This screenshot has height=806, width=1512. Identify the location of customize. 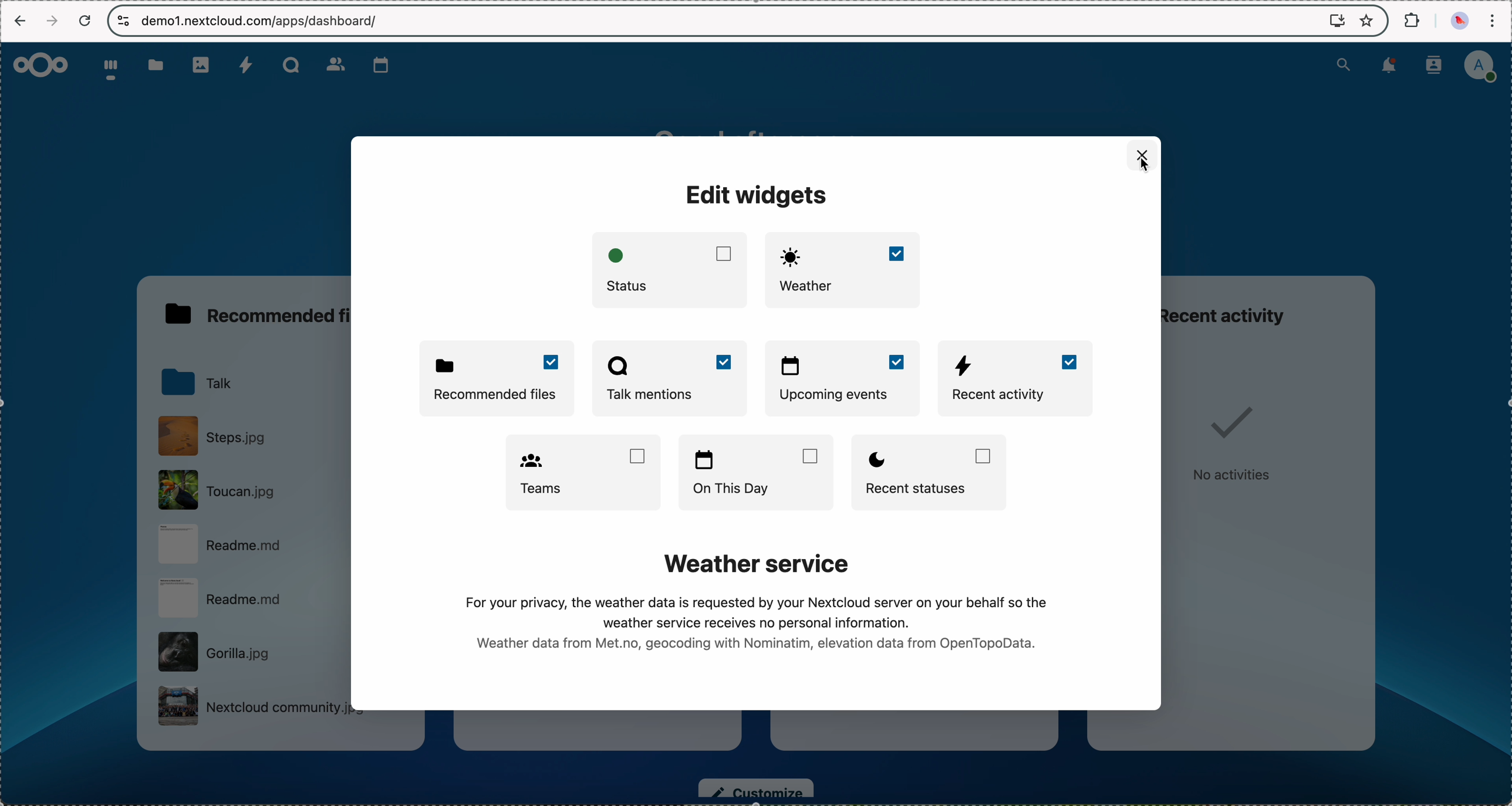
(755, 790).